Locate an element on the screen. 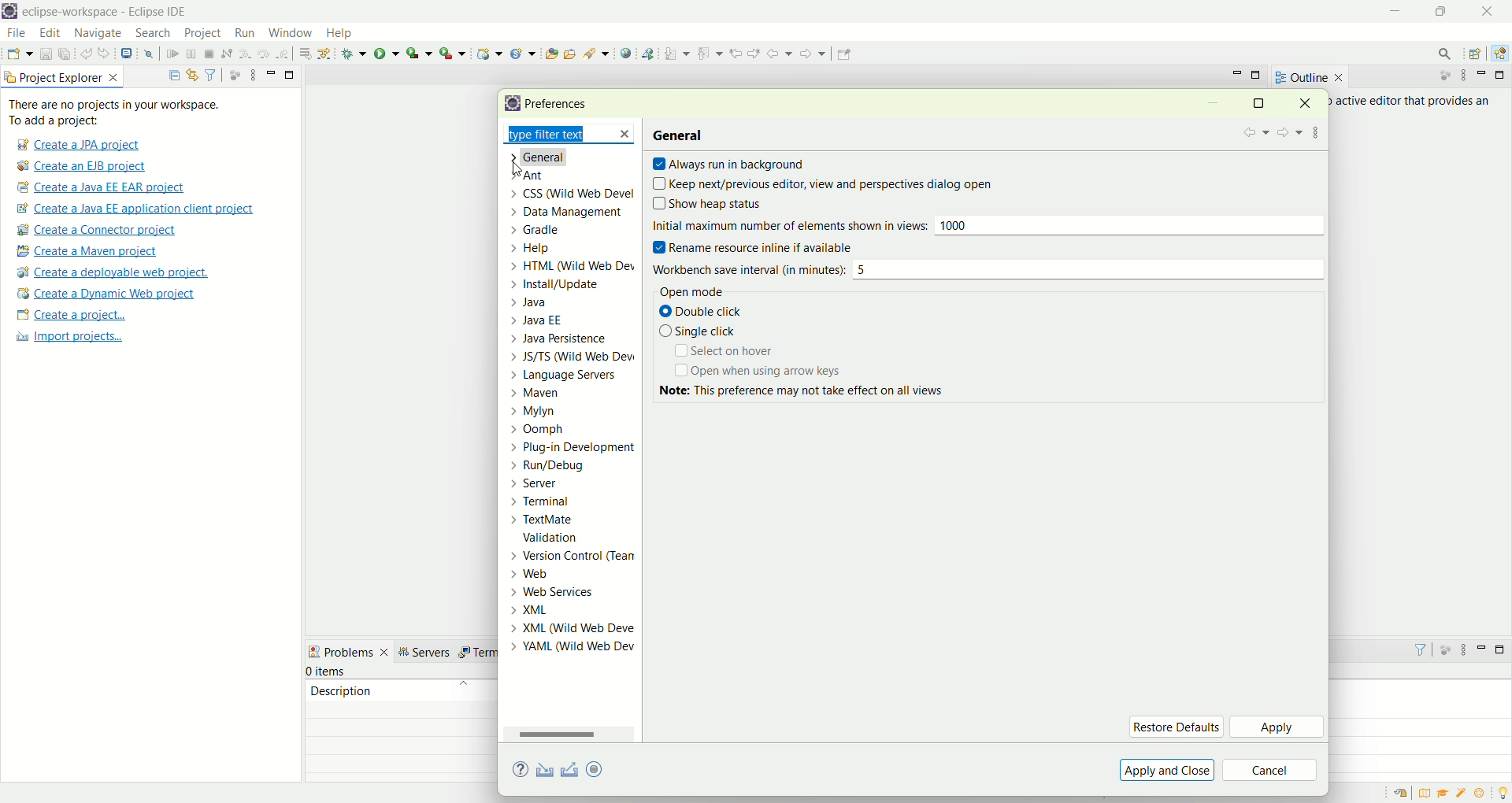 Image resolution: width=1512 pixels, height=803 pixels. filter is located at coordinates (210, 74).